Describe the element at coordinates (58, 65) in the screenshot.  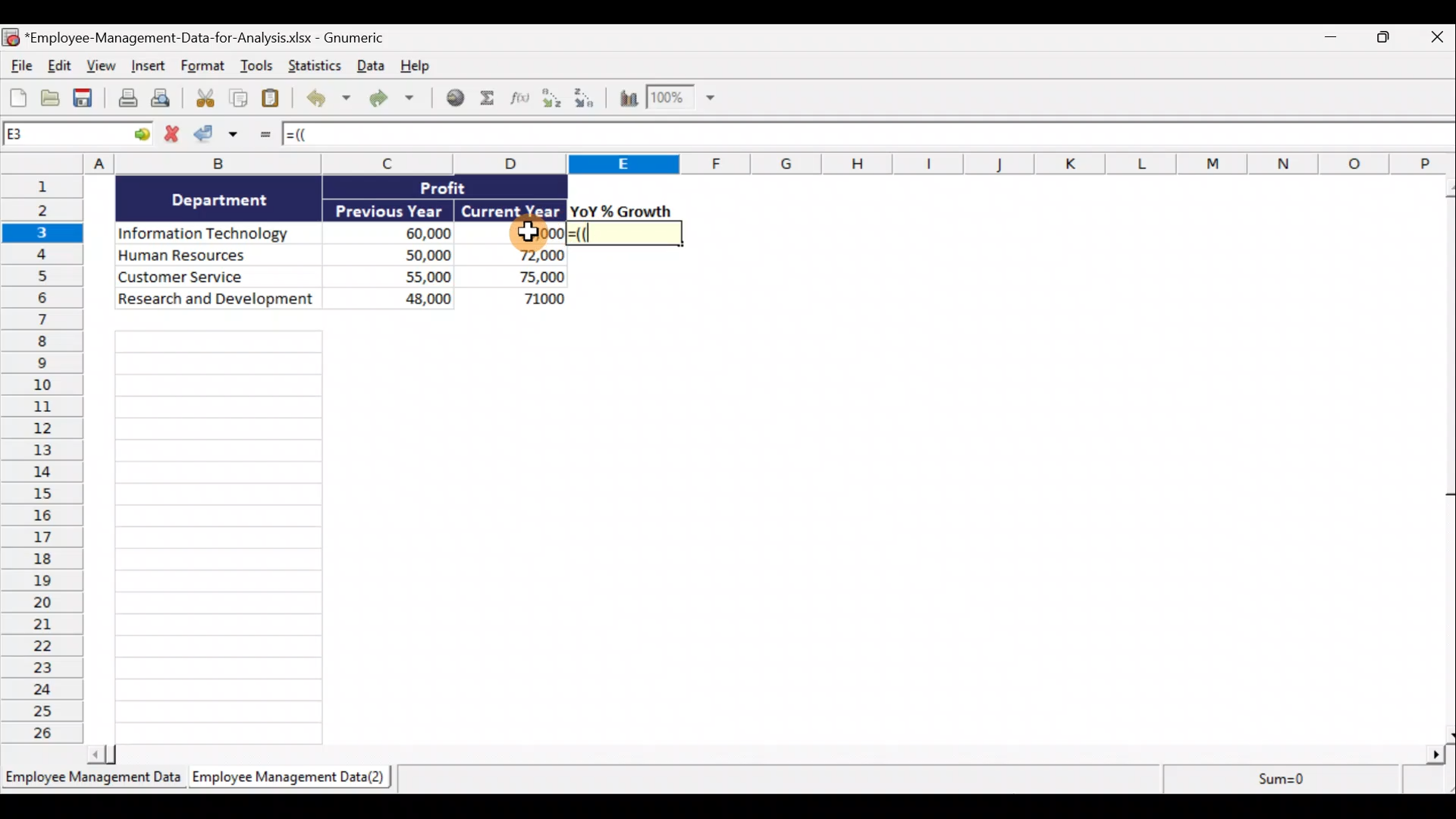
I see `Edit` at that location.